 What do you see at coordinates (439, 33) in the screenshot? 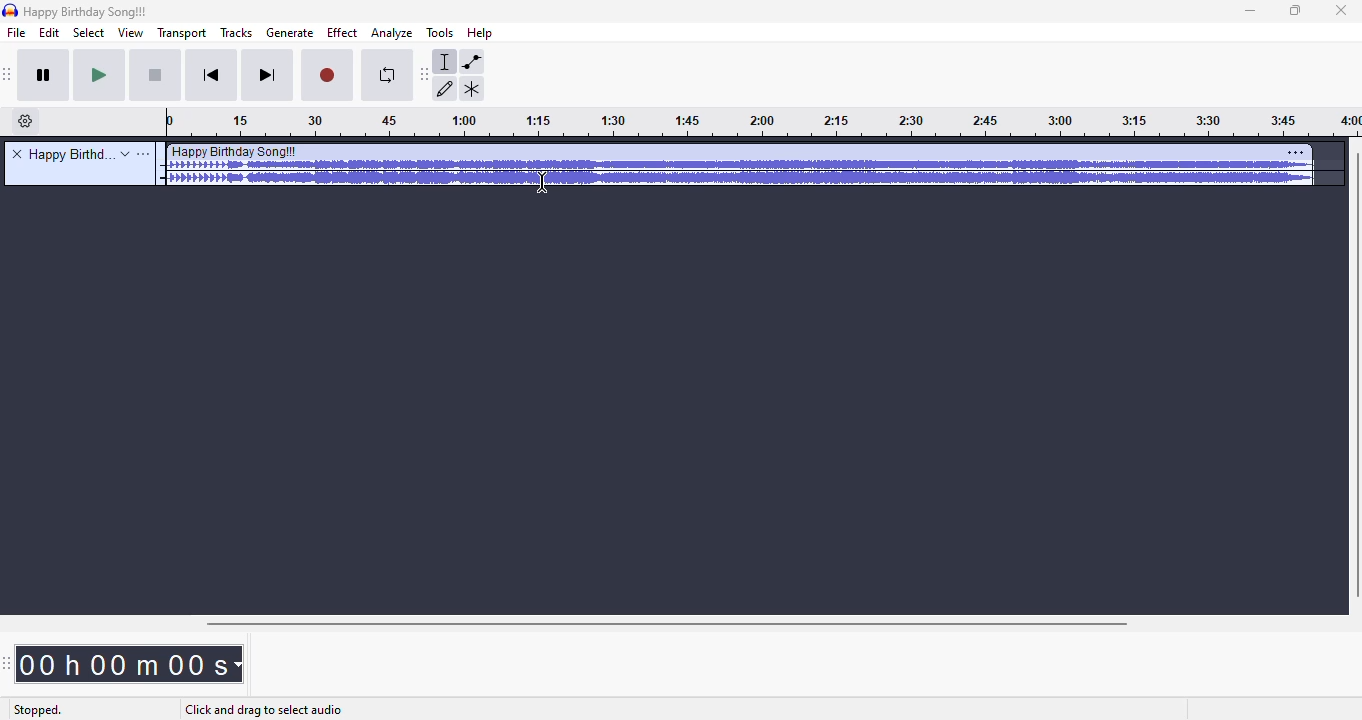
I see `tools` at bounding box center [439, 33].